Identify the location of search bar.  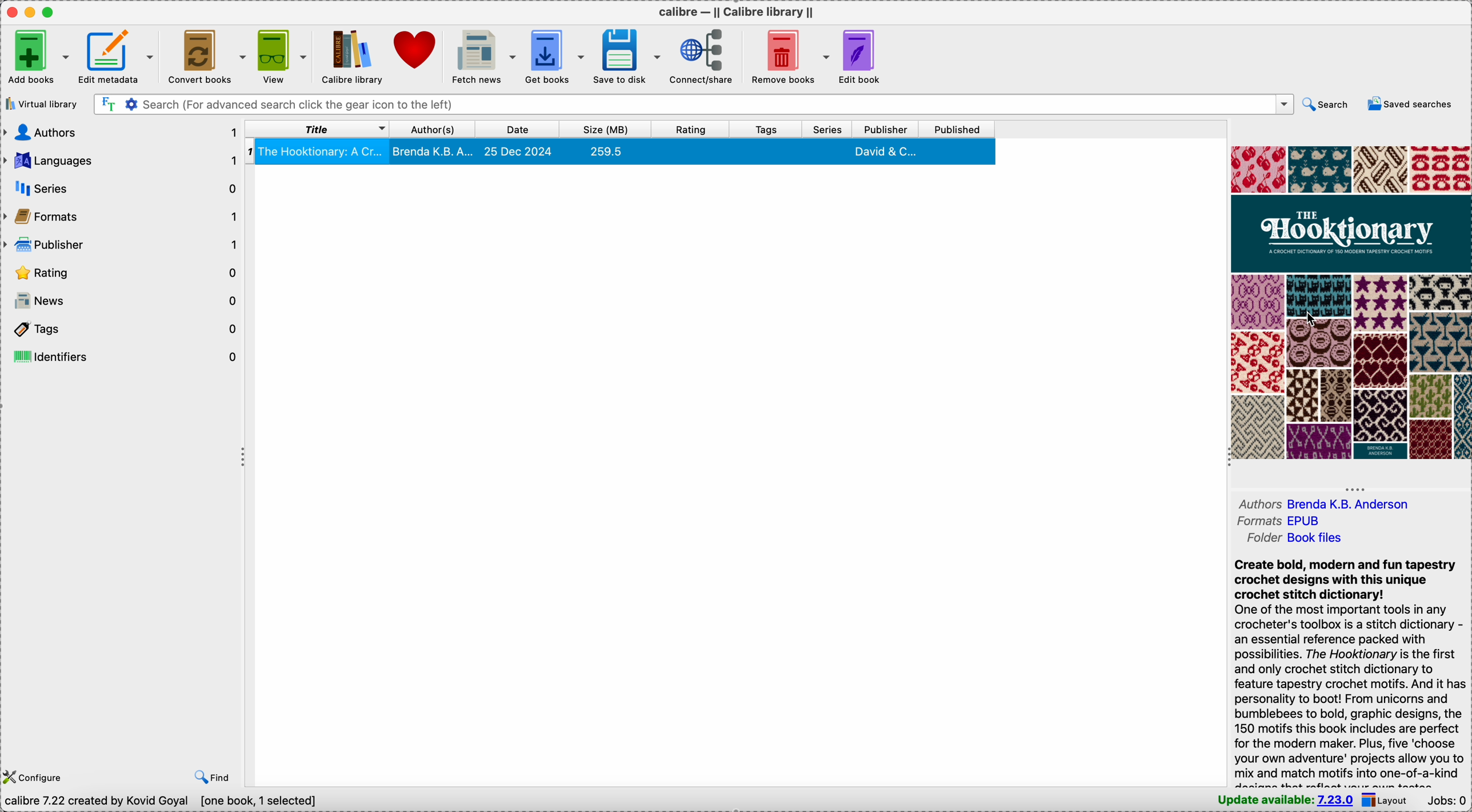
(694, 105).